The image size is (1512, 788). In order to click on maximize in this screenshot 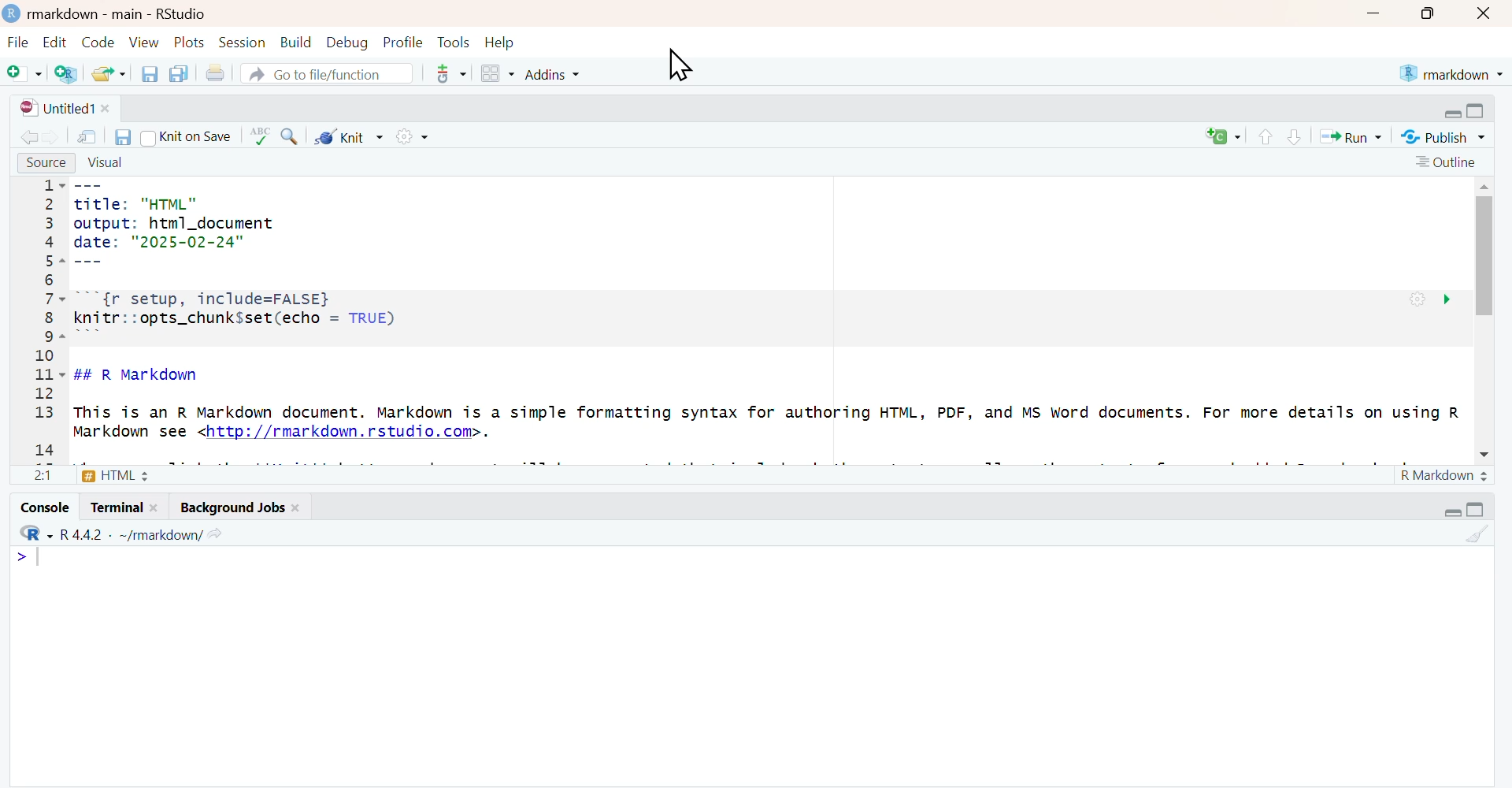, I will do `click(1476, 508)`.